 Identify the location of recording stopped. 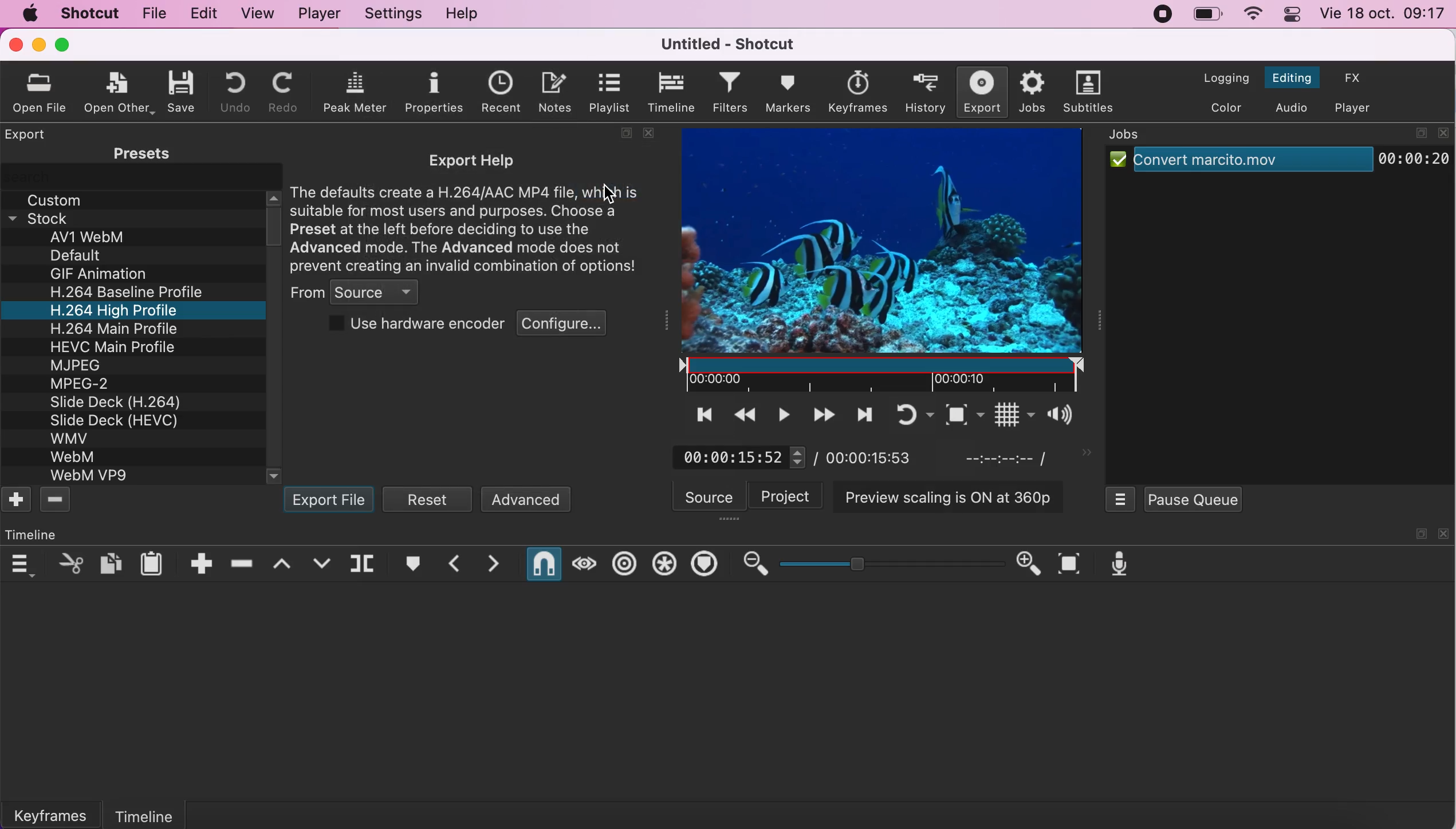
(1160, 13).